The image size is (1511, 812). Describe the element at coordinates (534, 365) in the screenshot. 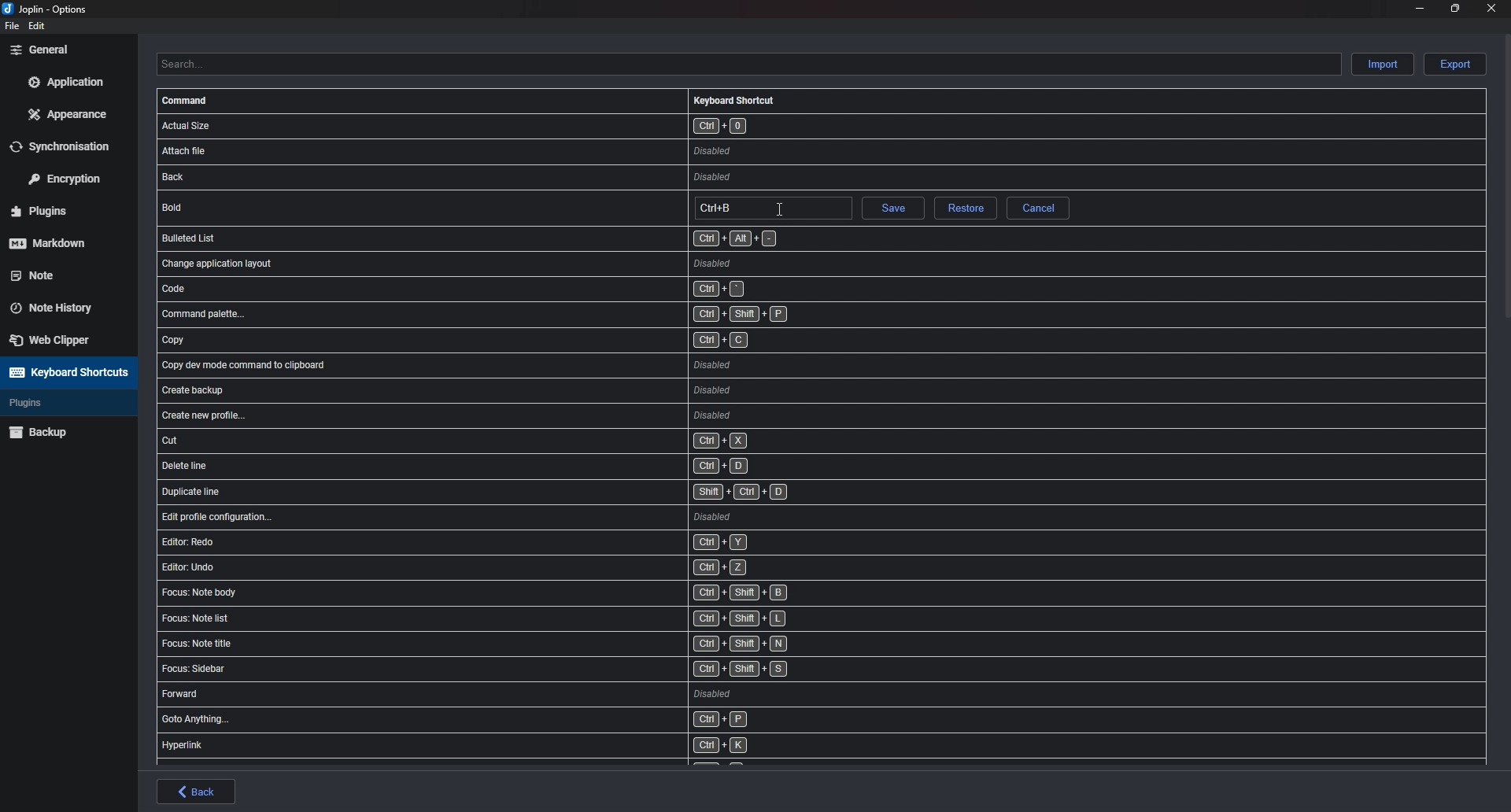

I see `shortcut` at that location.